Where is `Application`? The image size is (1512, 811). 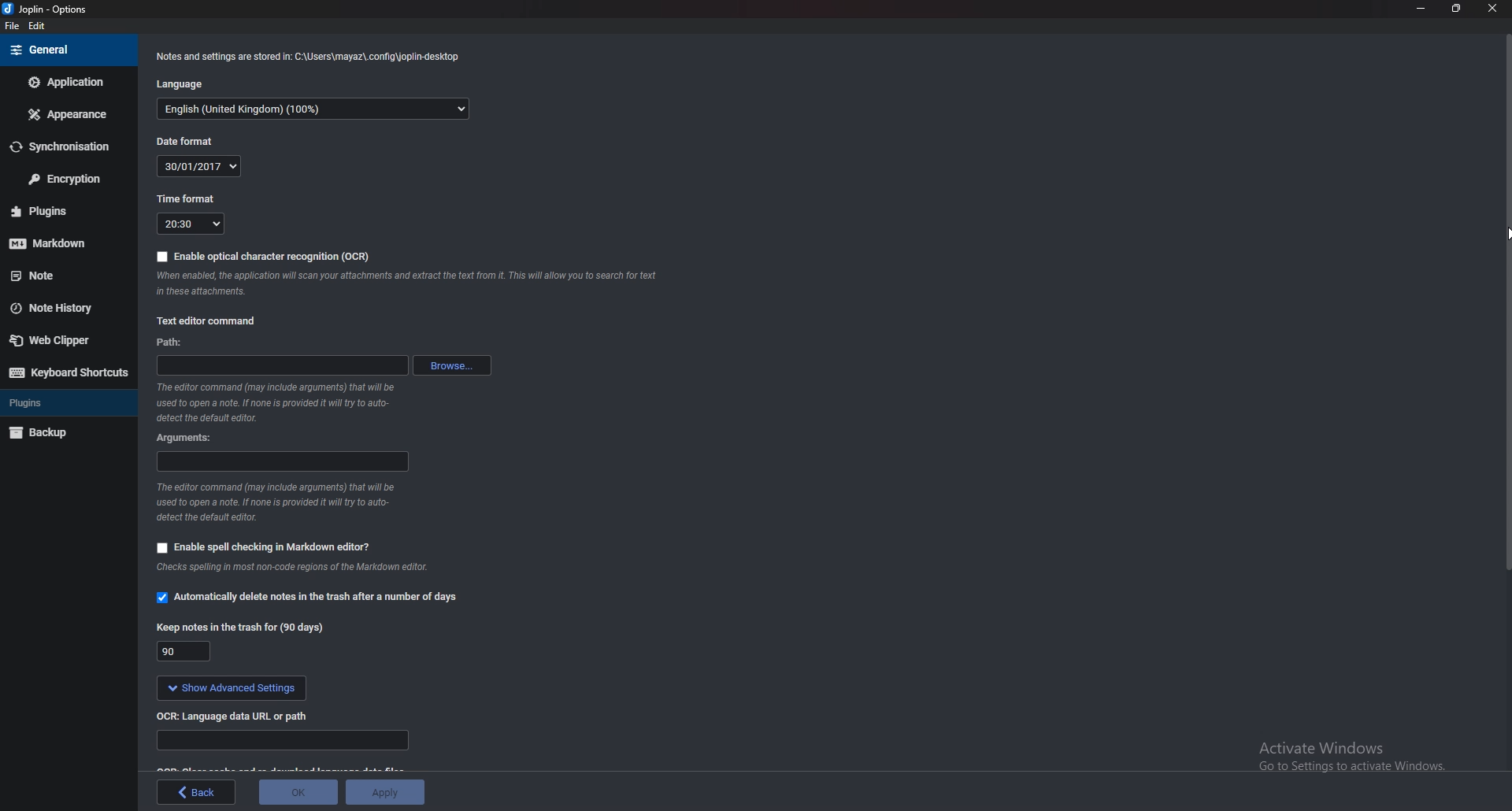 Application is located at coordinates (65, 83).